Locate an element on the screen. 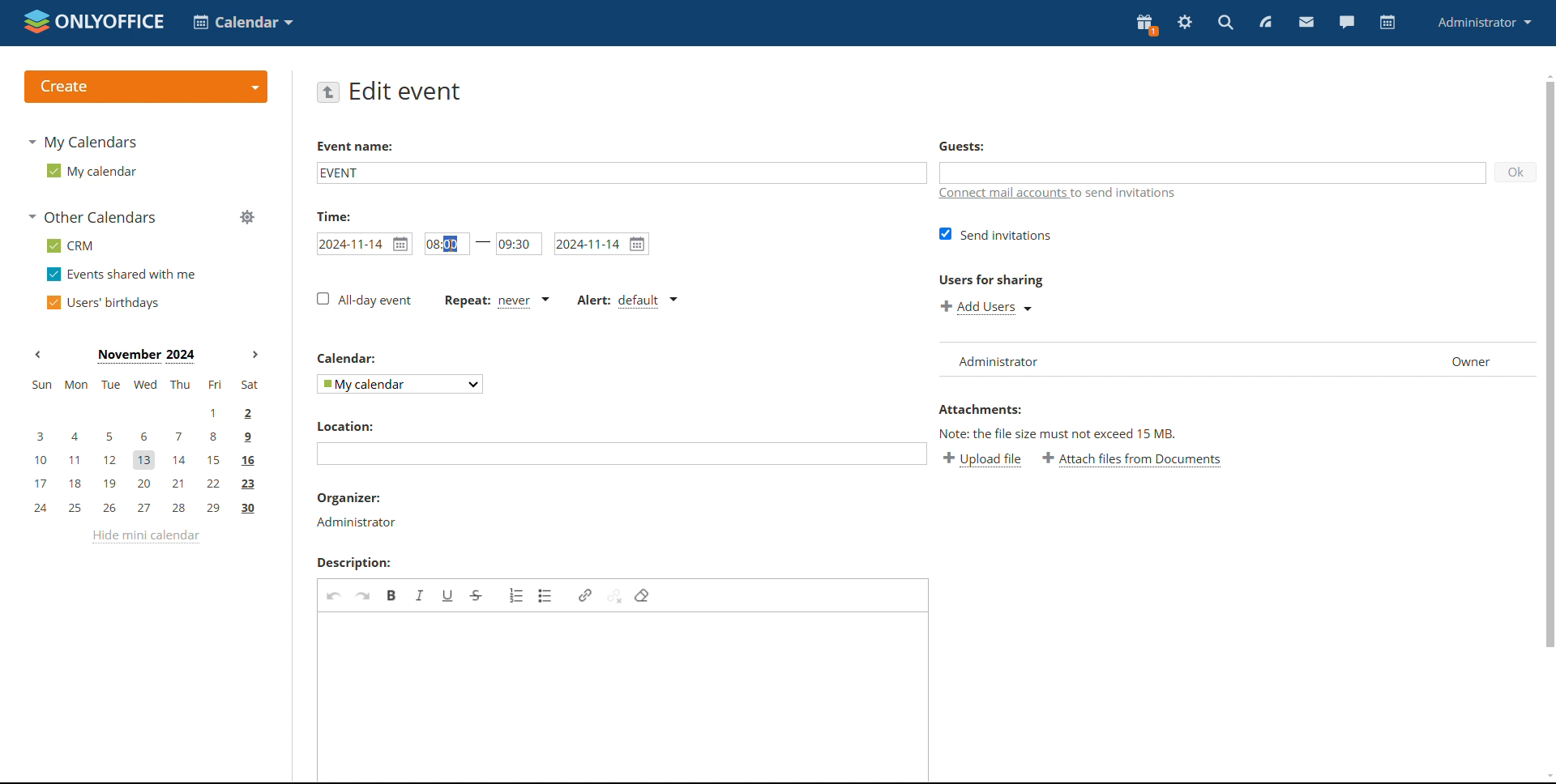 The height and width of the screenshot is (784, 1556). connect mail accounts is located at coordinates (1054, 192).